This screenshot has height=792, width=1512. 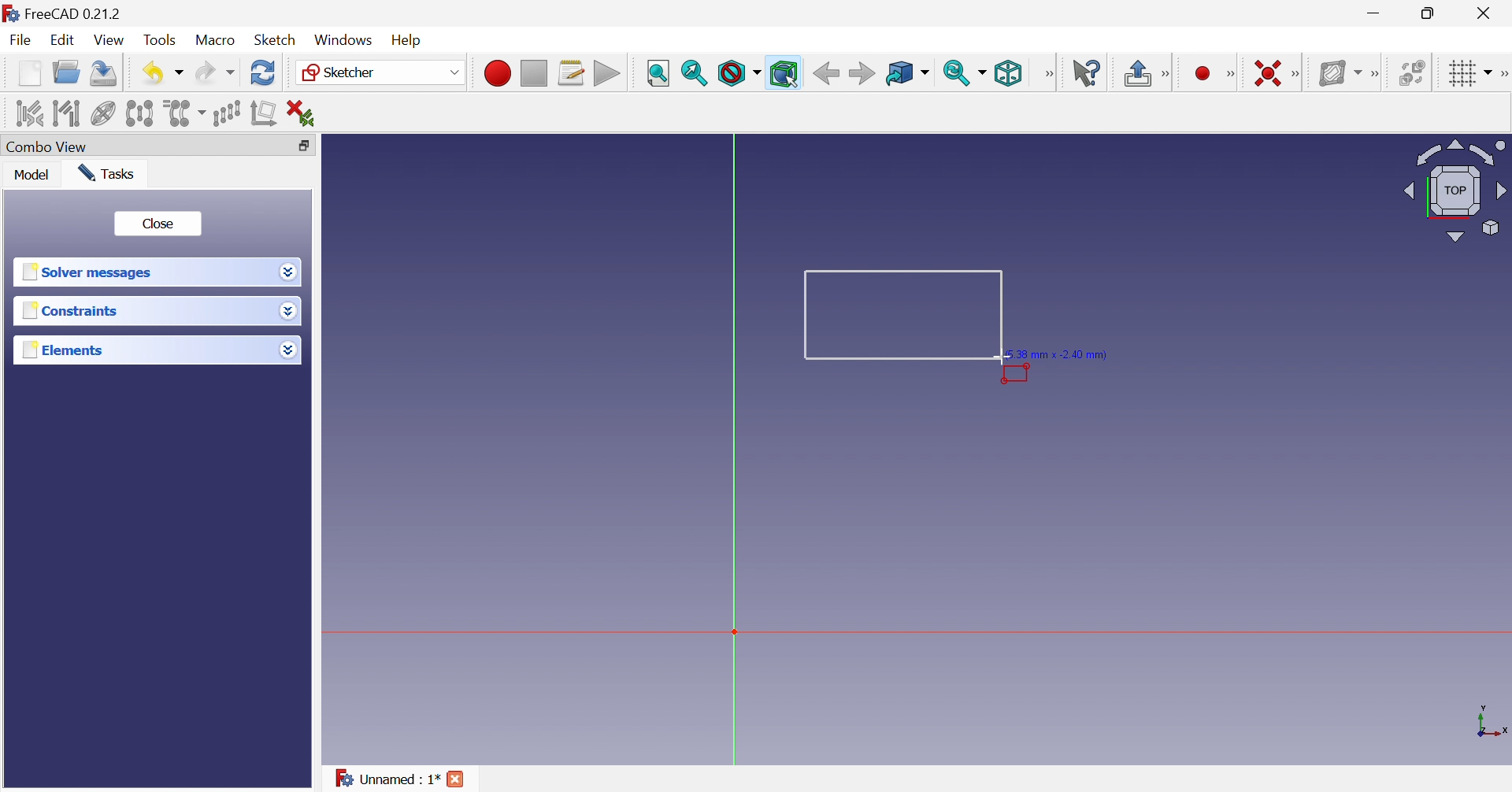 I want to click on Tools, so click(x=159, y=41).